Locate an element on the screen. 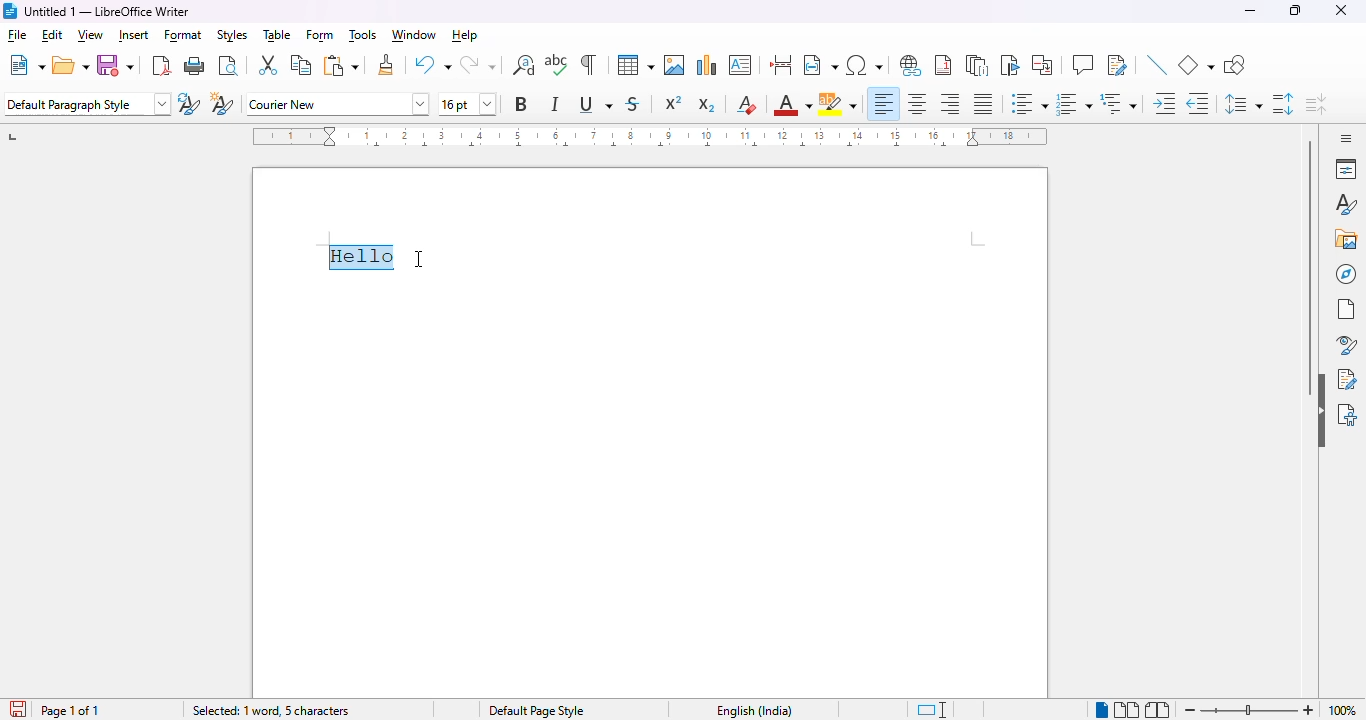 The image size is (1366, 720). toggle print preview is located at coordinates (229, 65).